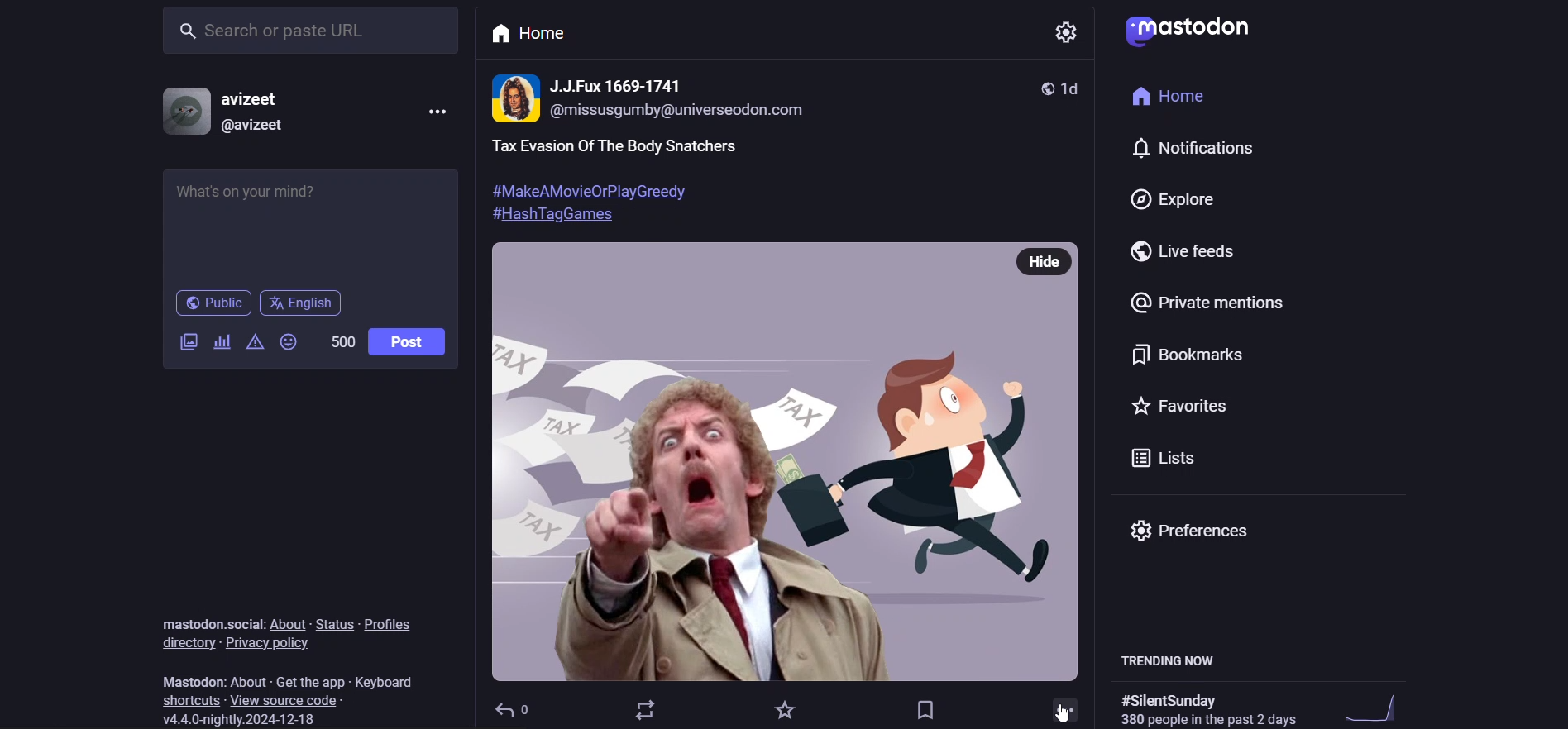  What do you see at coordinates (308, 680) in the screenshot?
I see `get the app` at bounding box center [308, 680].